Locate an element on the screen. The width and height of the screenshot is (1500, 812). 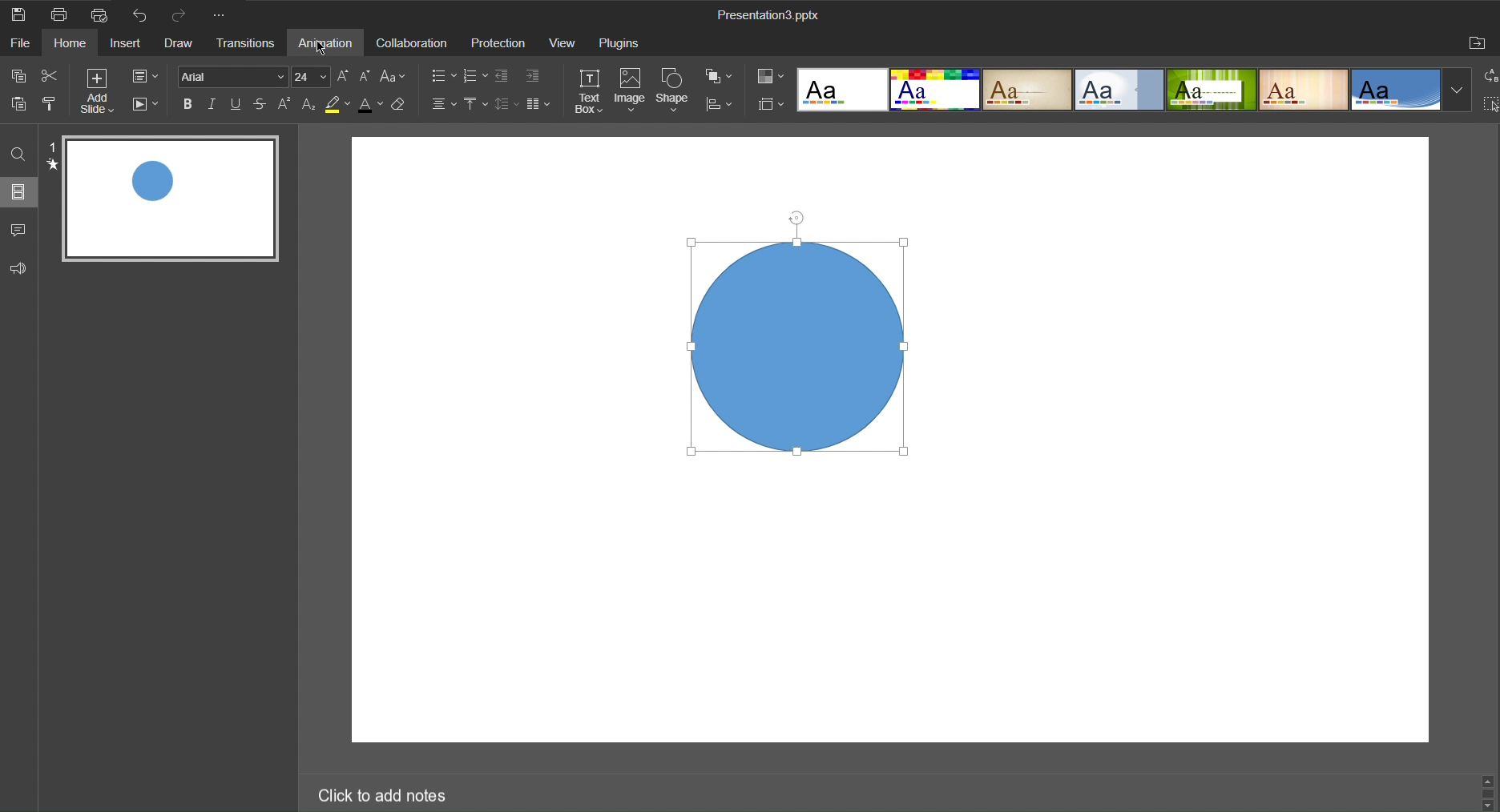
Transitions is located at coordinates (249, 46).